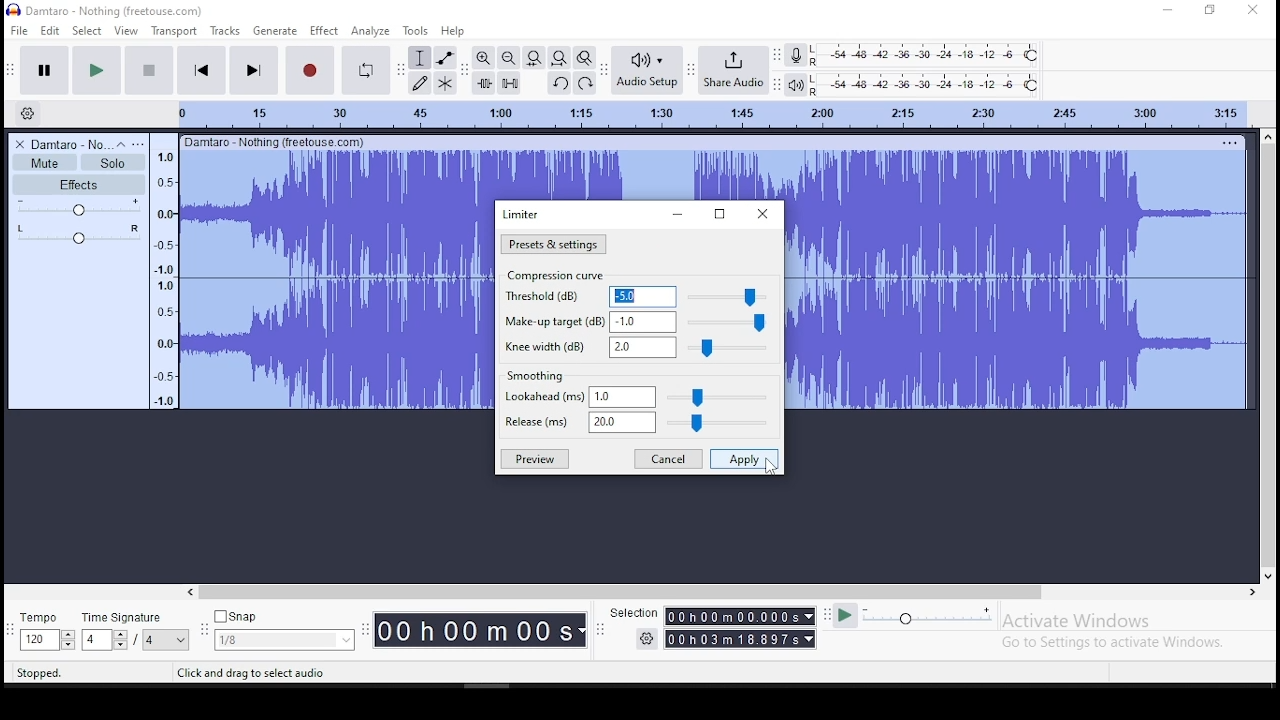 The image size is (1280, 720). Describe the element at coordinates (643, 237) in the screenshot. I see `cursor` at that location.